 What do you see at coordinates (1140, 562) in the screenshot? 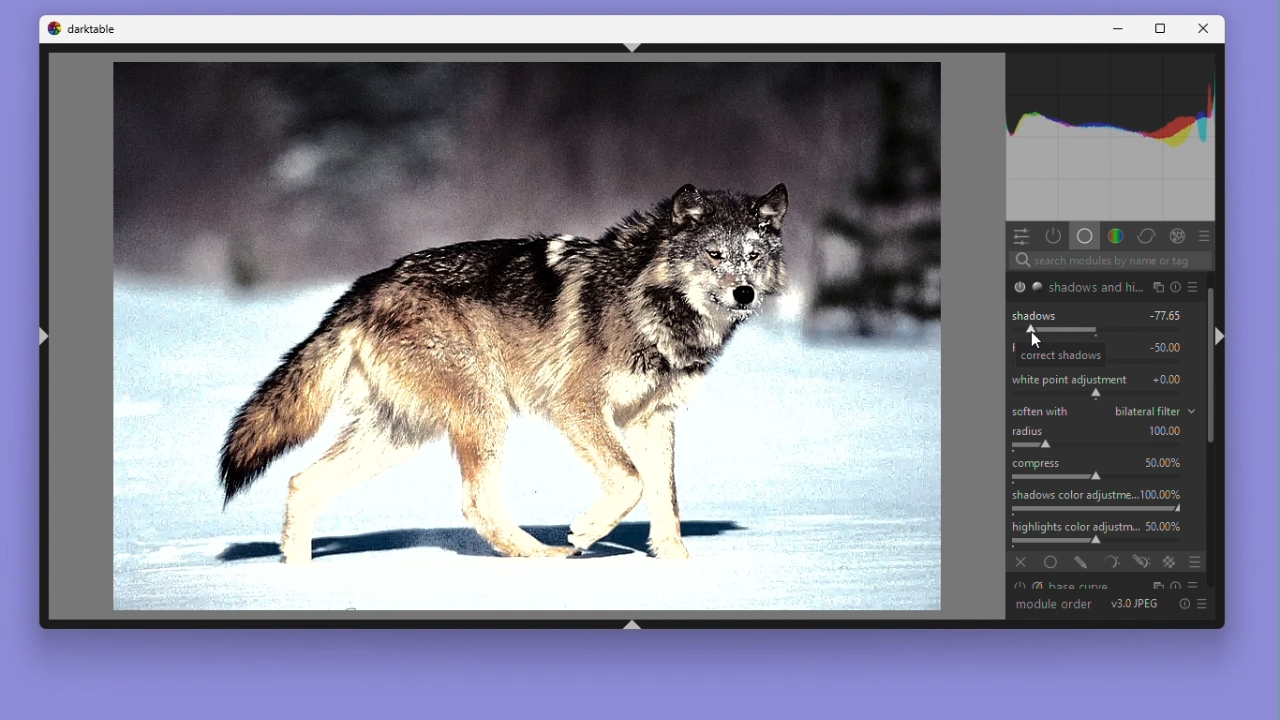
I see `drawn & parametric mask` at bounding box center [1140, 562].